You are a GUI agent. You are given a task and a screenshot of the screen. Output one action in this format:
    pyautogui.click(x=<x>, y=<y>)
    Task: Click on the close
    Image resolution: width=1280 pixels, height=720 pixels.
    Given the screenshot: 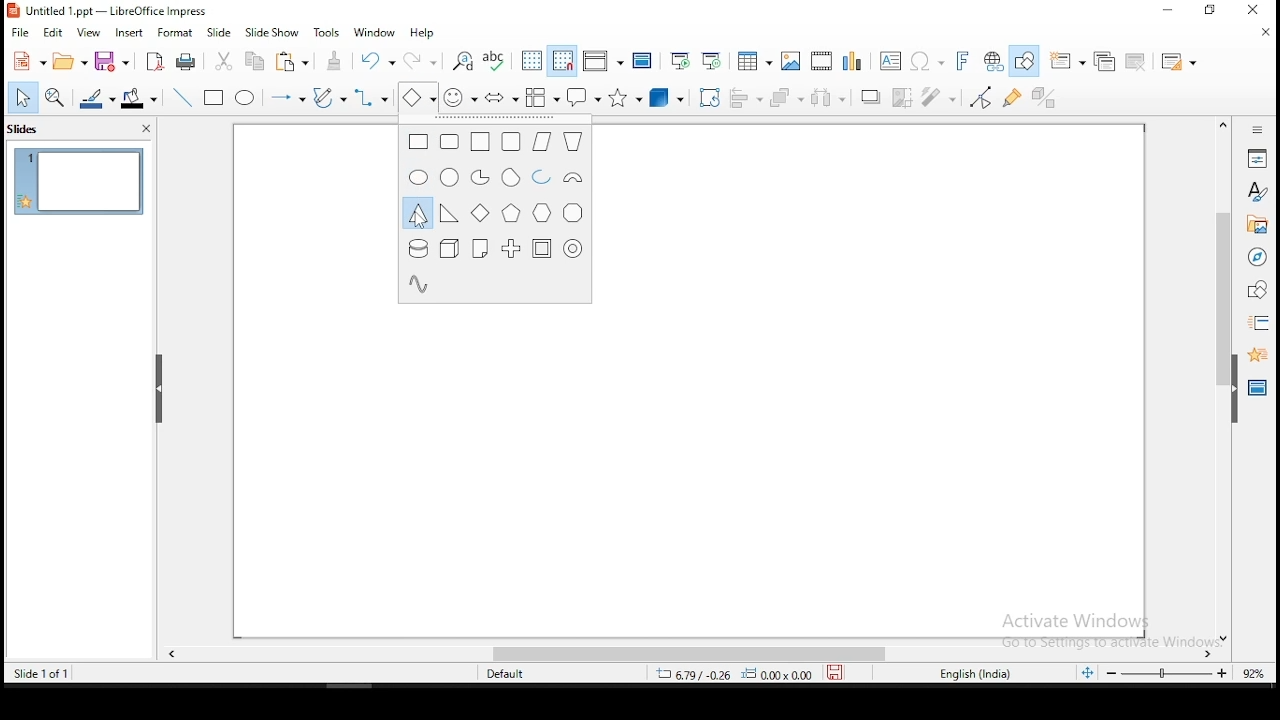 What is the action you would take?
    pyautogui.click(x=1261, y=8)
    